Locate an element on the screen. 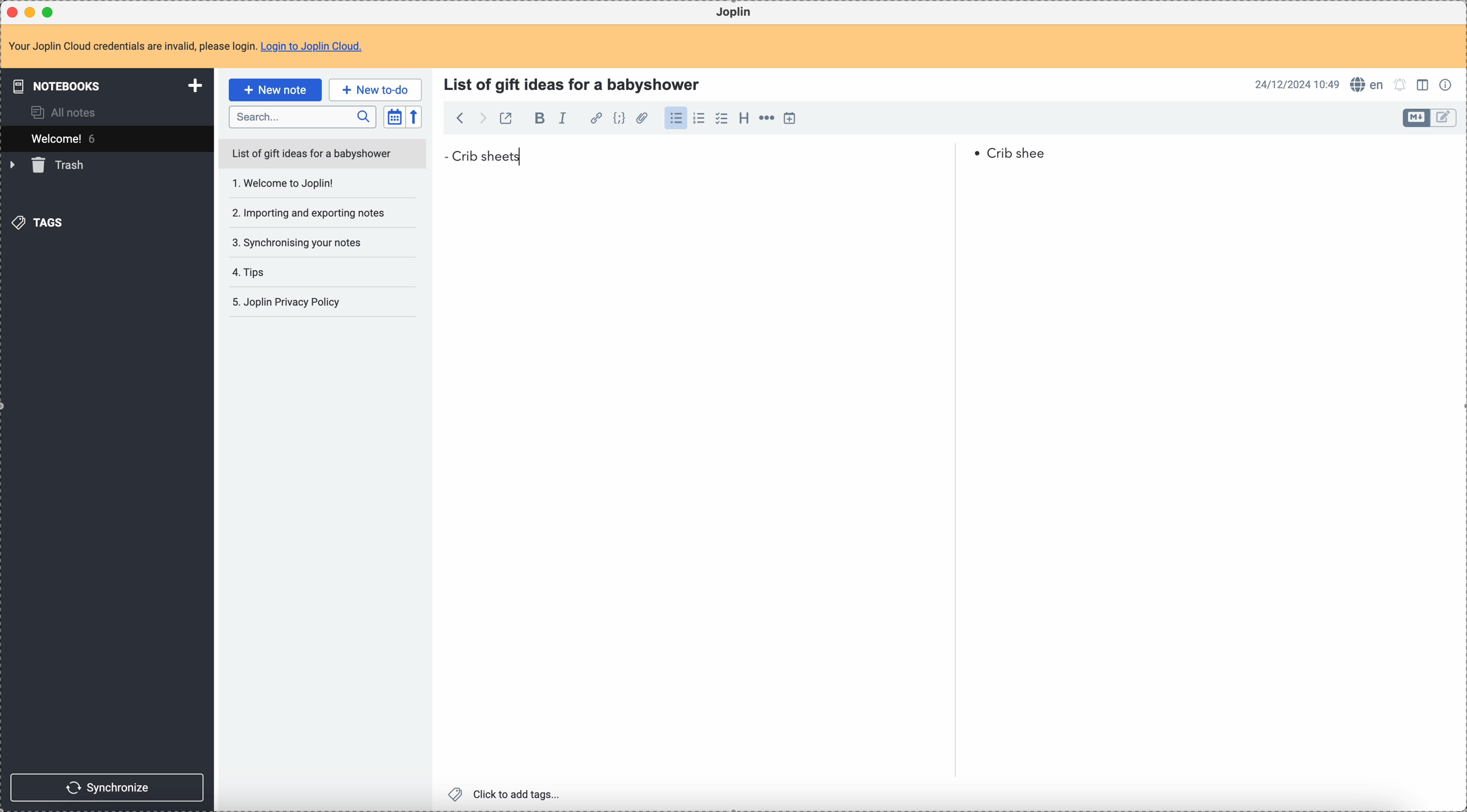 The image size is (1467, 812). bullet point is located at coordinates (445, 156).